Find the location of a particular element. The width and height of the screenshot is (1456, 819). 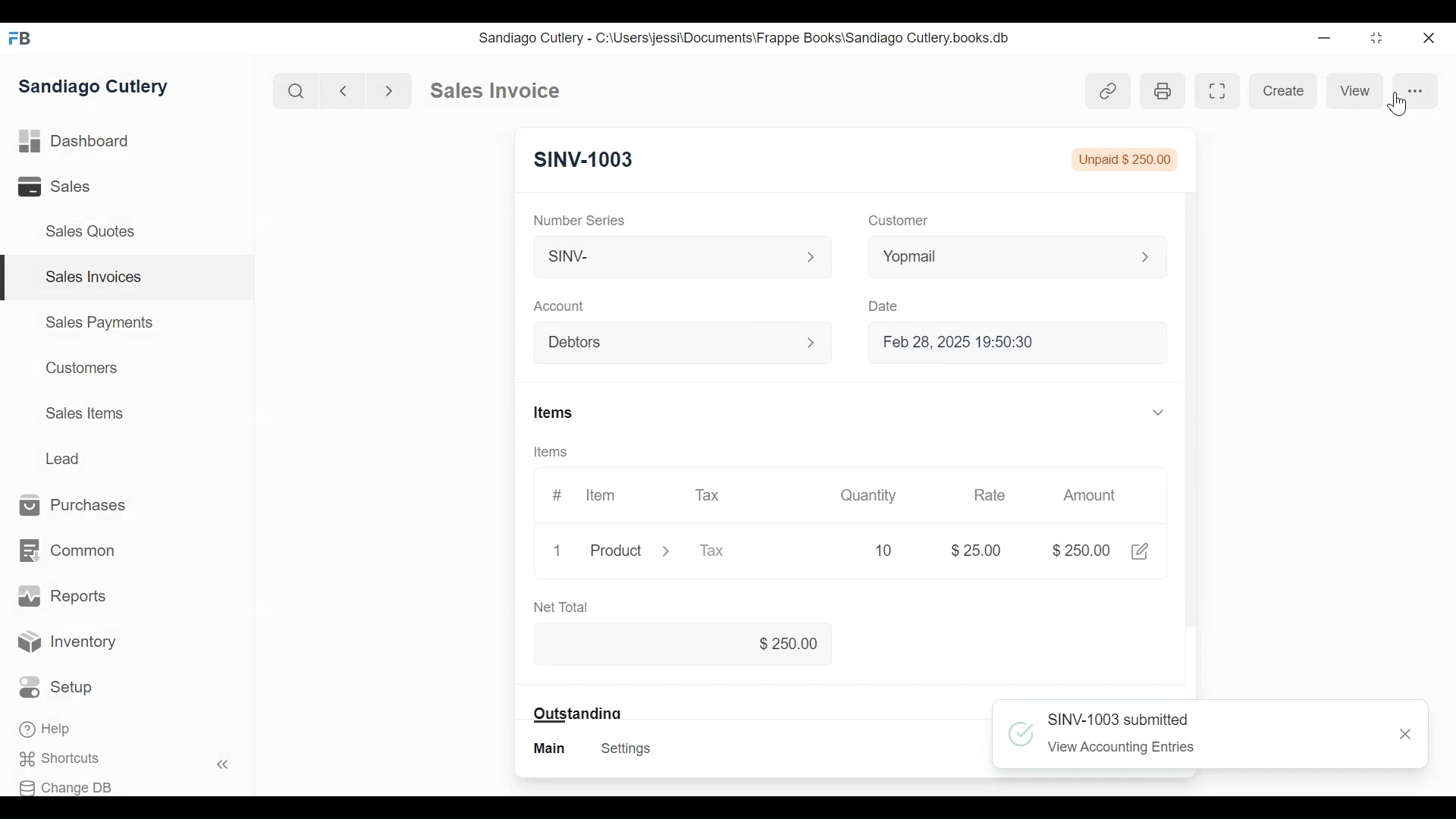

print is located at coordinates (1162, 92).